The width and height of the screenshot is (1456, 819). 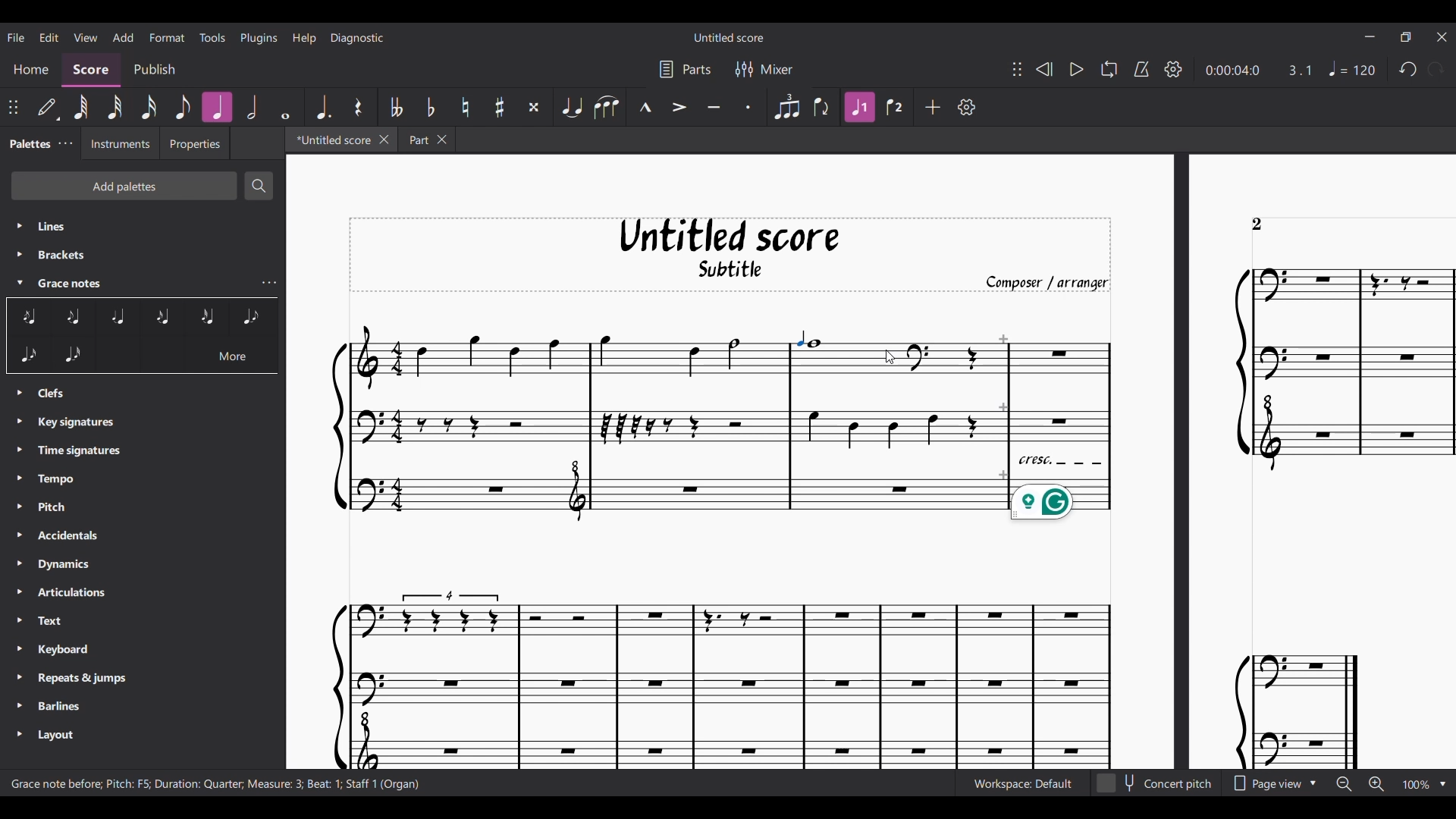 I want to click on Tie, so click(x=571, y=107).